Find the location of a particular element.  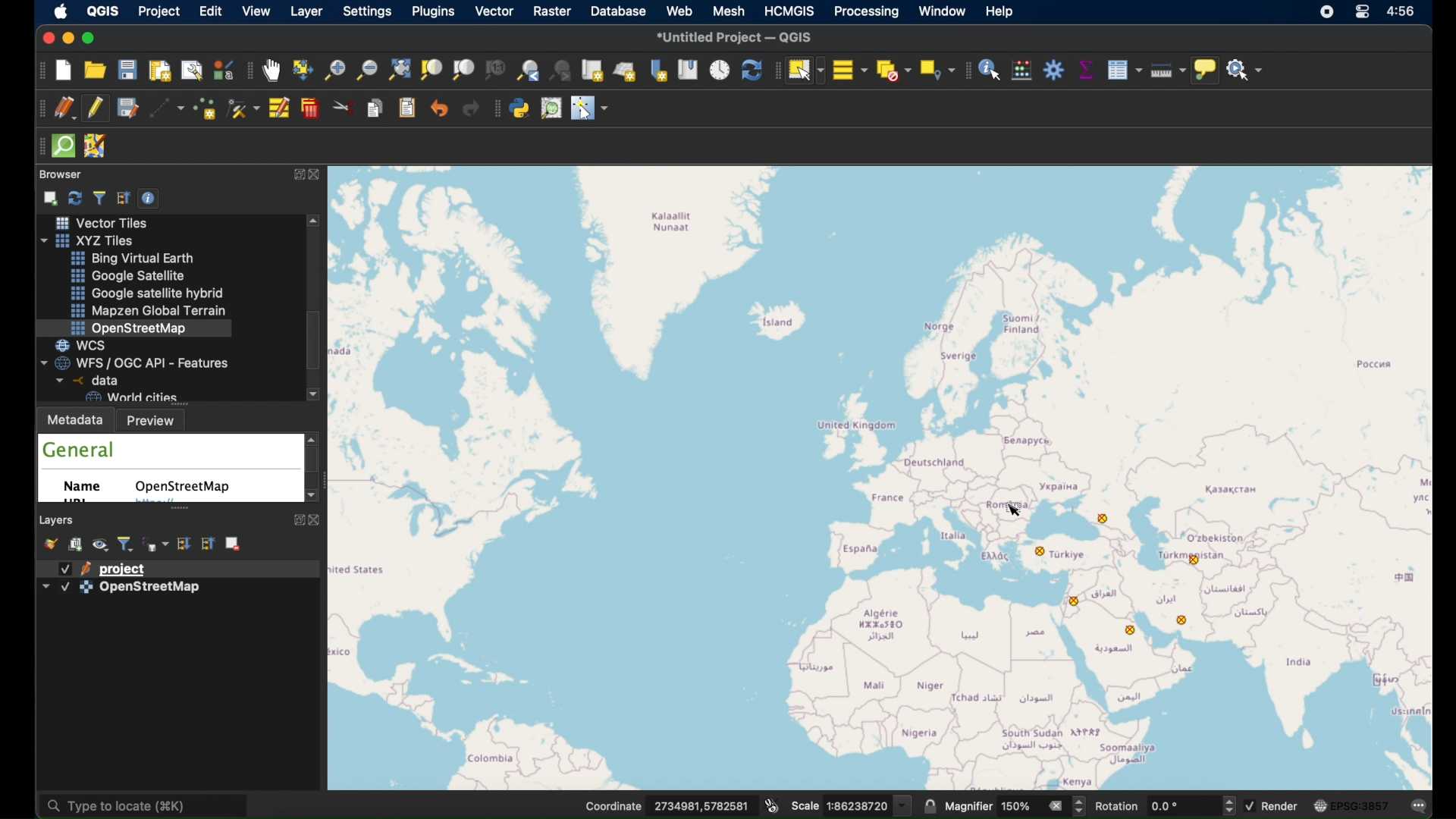

paste features is located at coordinates (409, 109).